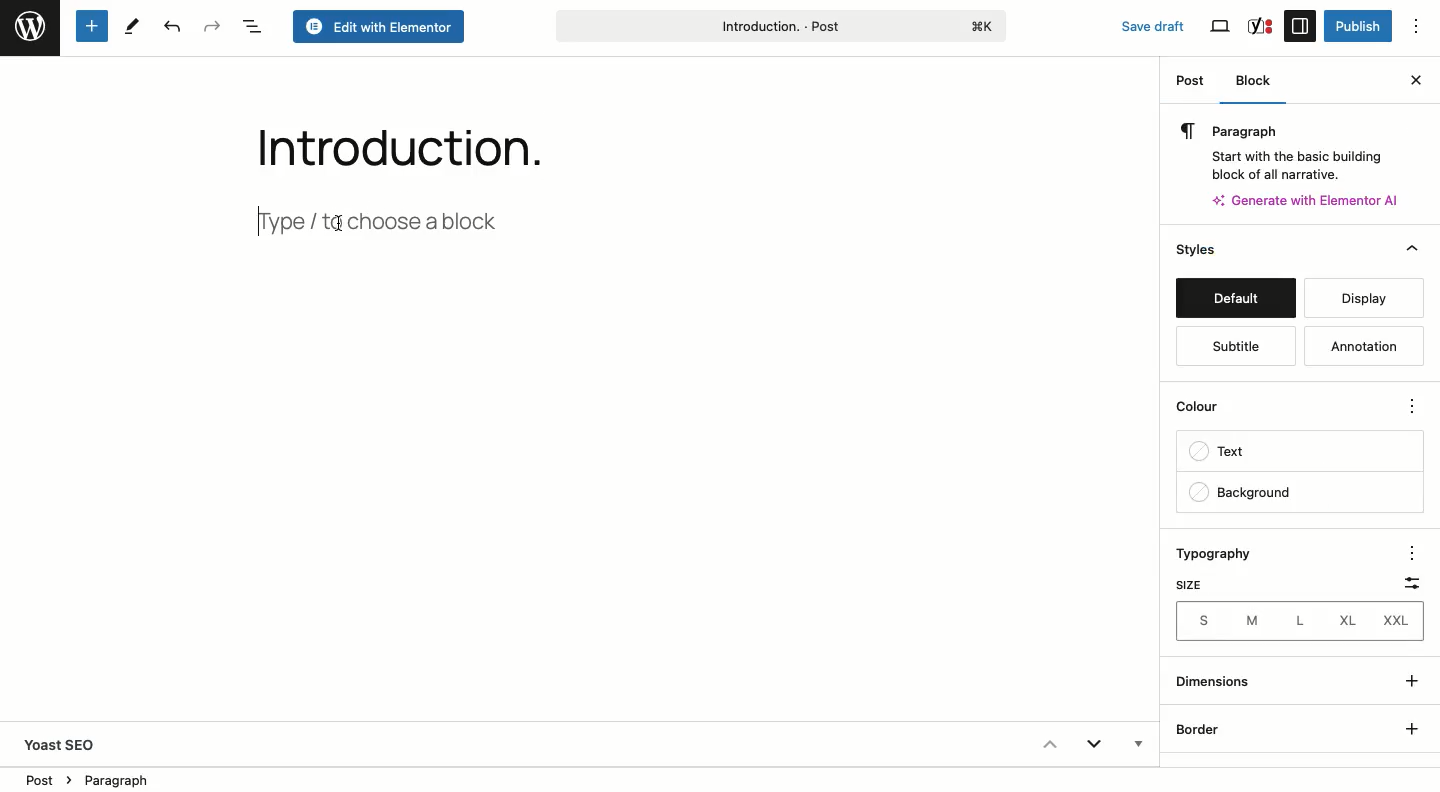 Image resolution: width=1440 pixels, height=792 pixels. What do you see at coordinates (170, 28) in the screenshot?
I see `Undo` at bounding box center [170, 28].